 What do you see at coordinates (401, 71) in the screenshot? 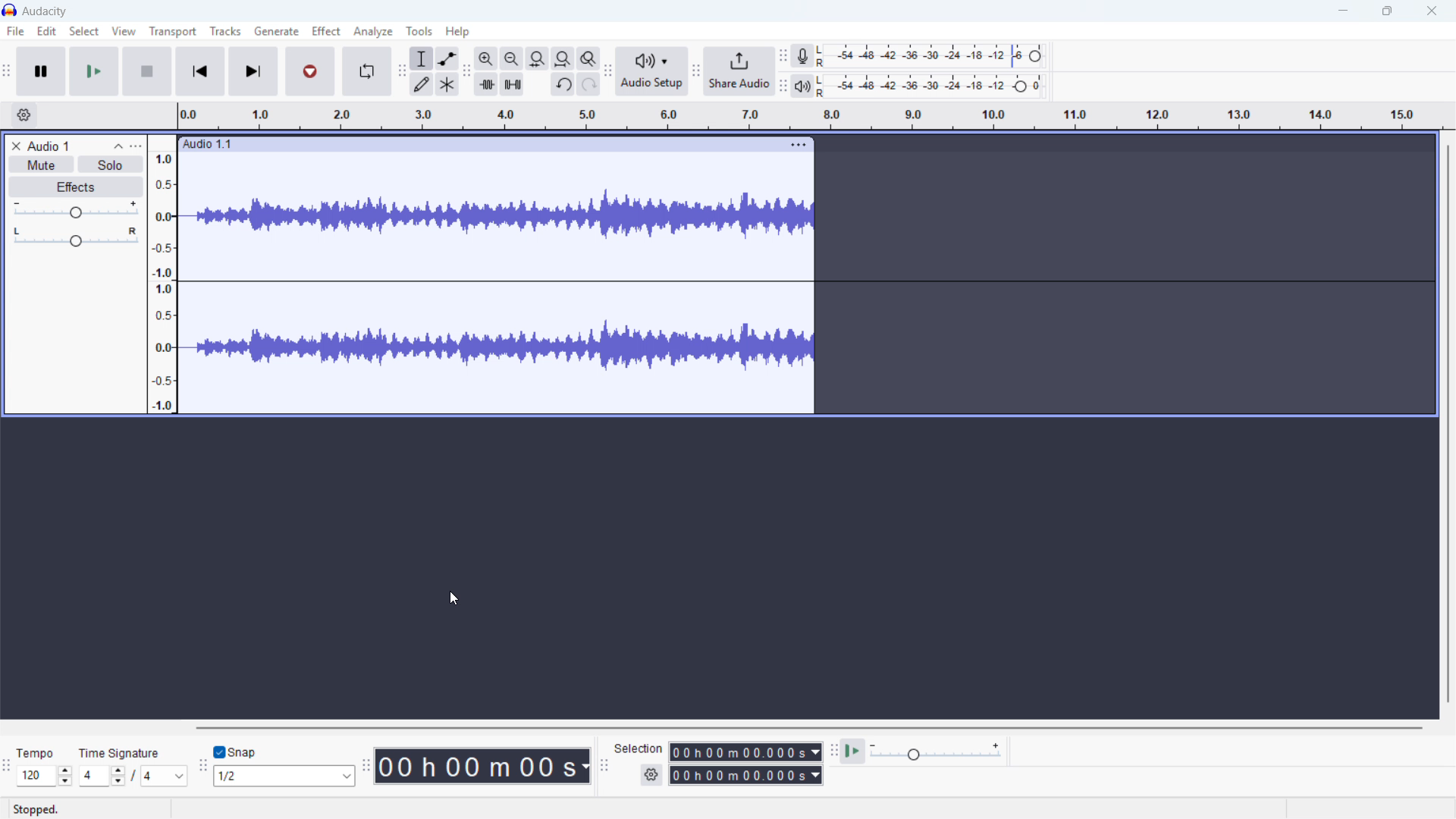
I see `Tools toolbar ` at bounding box center [401, 71].